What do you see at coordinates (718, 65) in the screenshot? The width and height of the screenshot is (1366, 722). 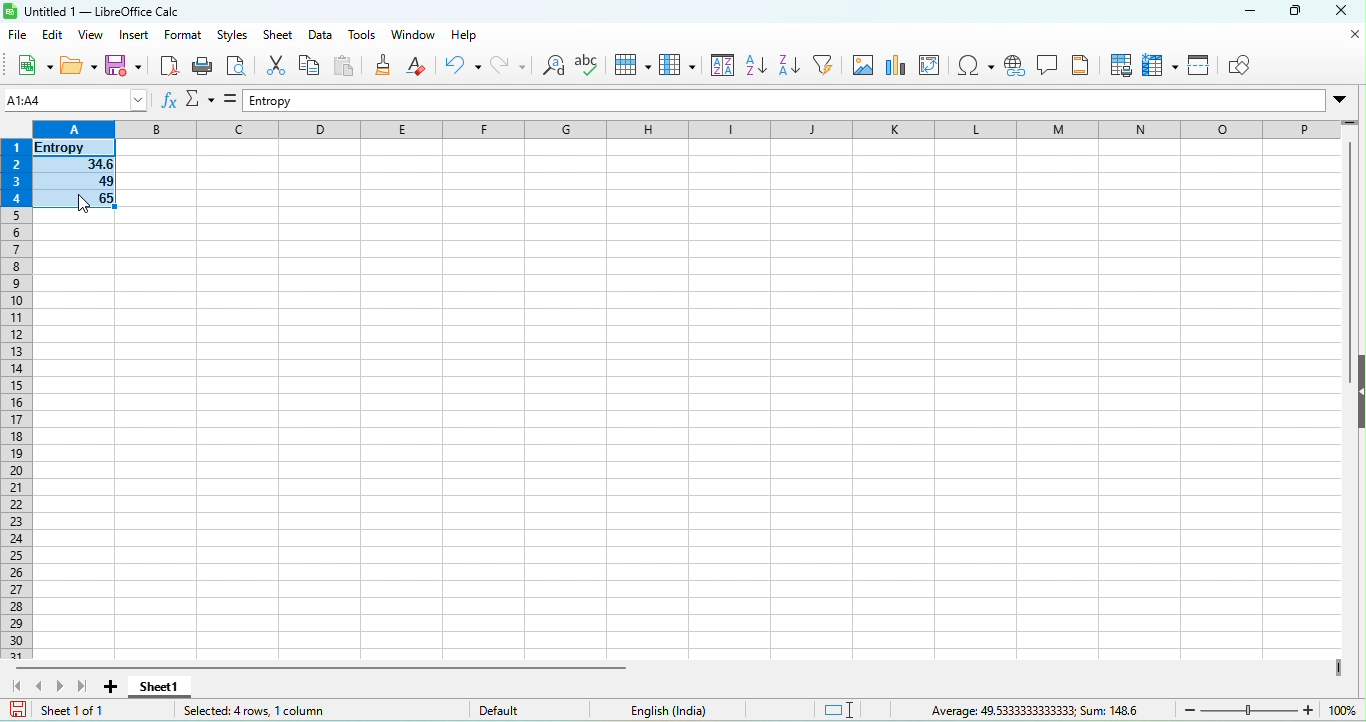 I see `sort` at bounding box center [718, 65].